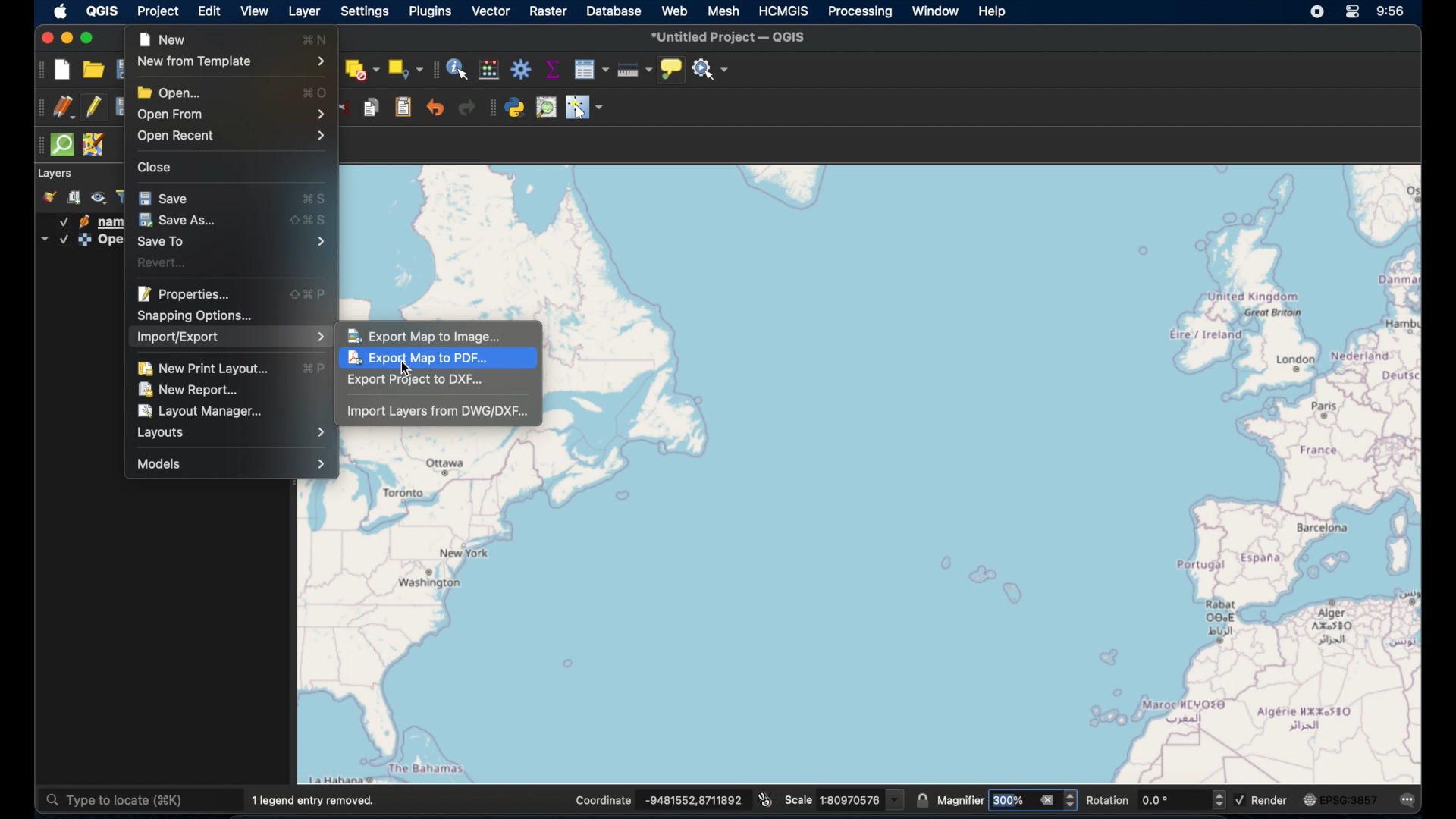 The image size is (1456, 819). Describe the element at coordinates (711, 71) in the screenshot. I see `no action selected` at that location.